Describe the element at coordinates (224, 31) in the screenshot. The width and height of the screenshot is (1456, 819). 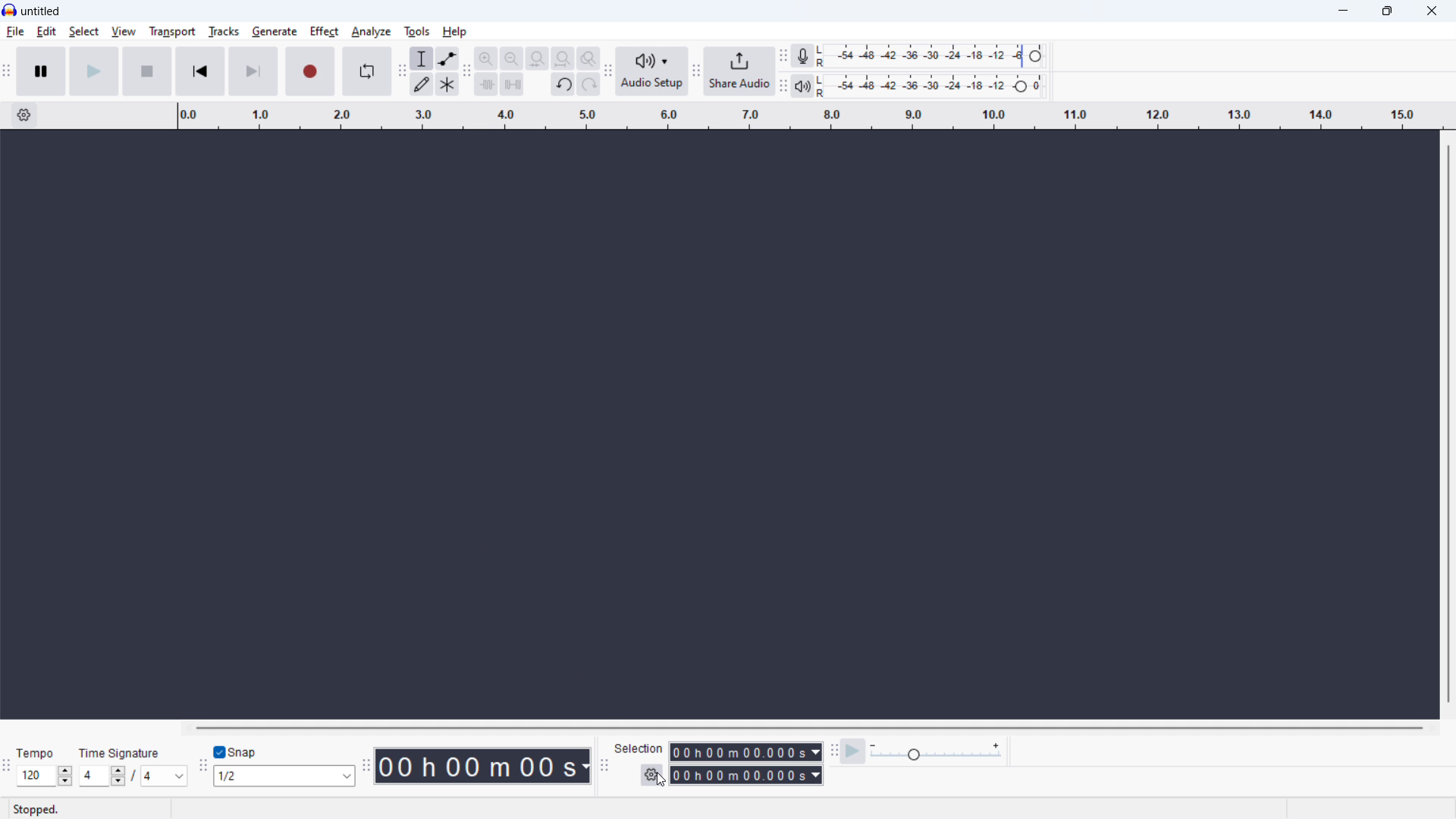
I see `tracks` at that location.